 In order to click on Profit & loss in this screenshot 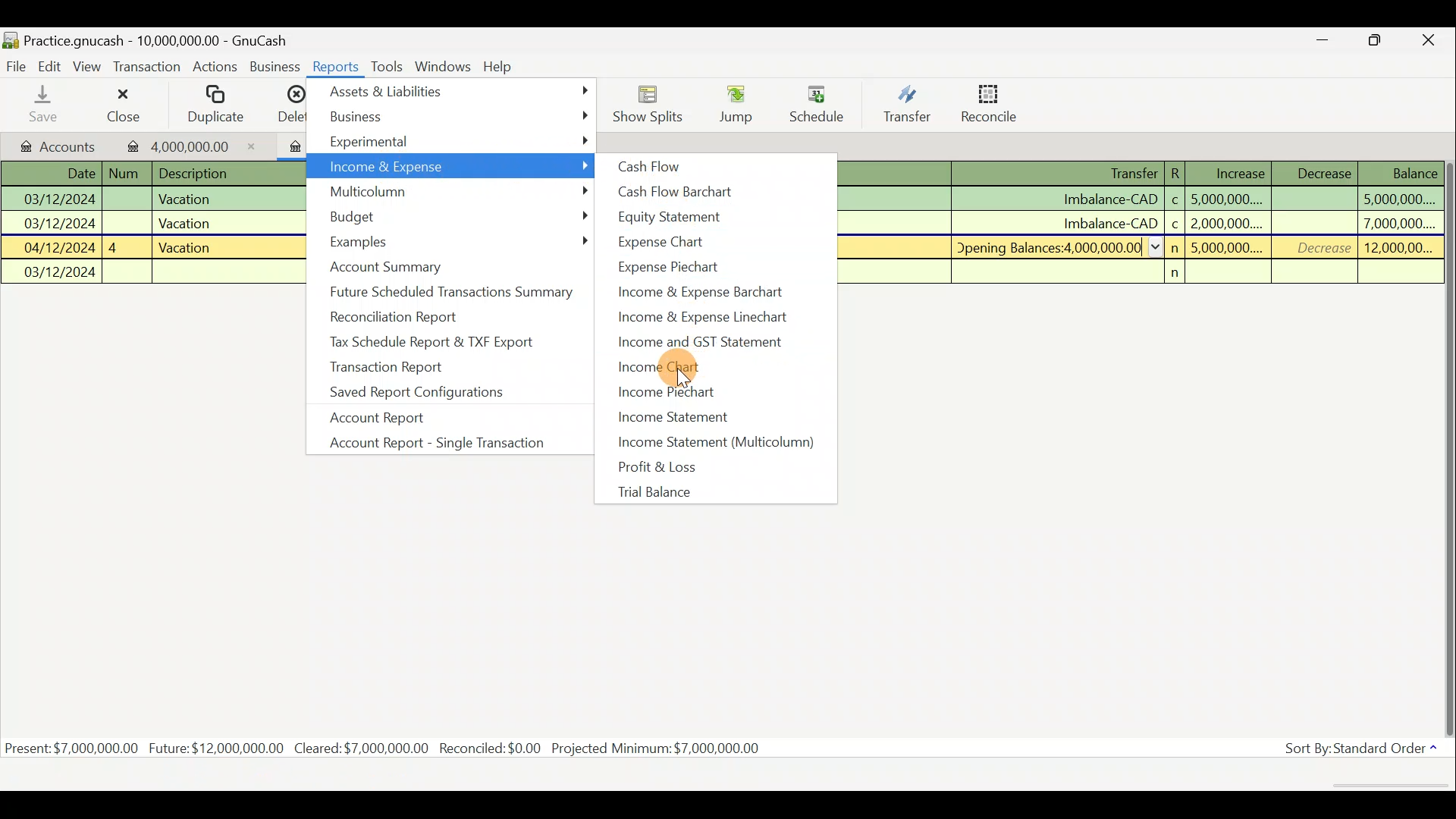, I will do `click(704, 467)`.